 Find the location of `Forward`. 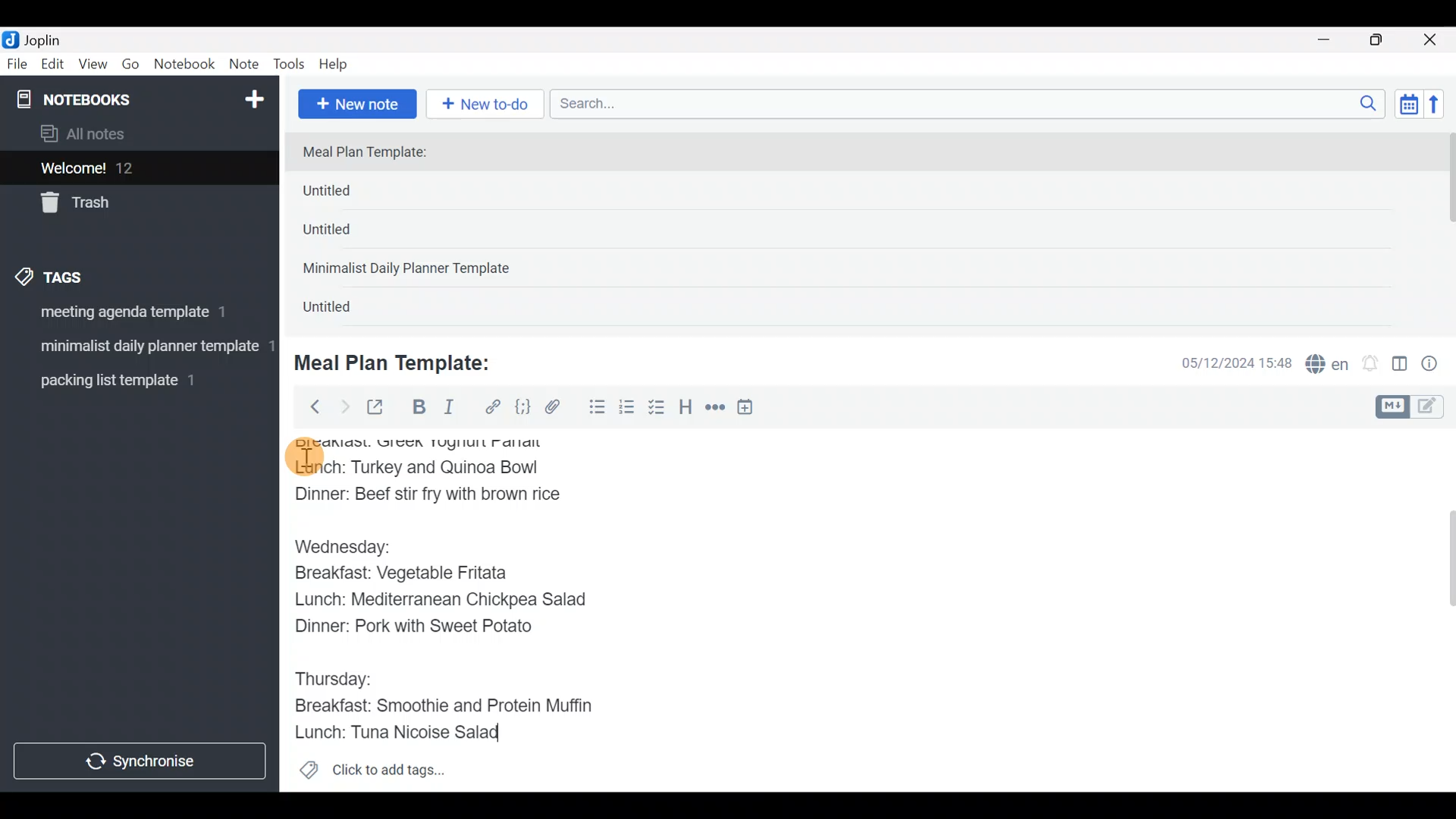

Forward is located at coordinates (344, 406).